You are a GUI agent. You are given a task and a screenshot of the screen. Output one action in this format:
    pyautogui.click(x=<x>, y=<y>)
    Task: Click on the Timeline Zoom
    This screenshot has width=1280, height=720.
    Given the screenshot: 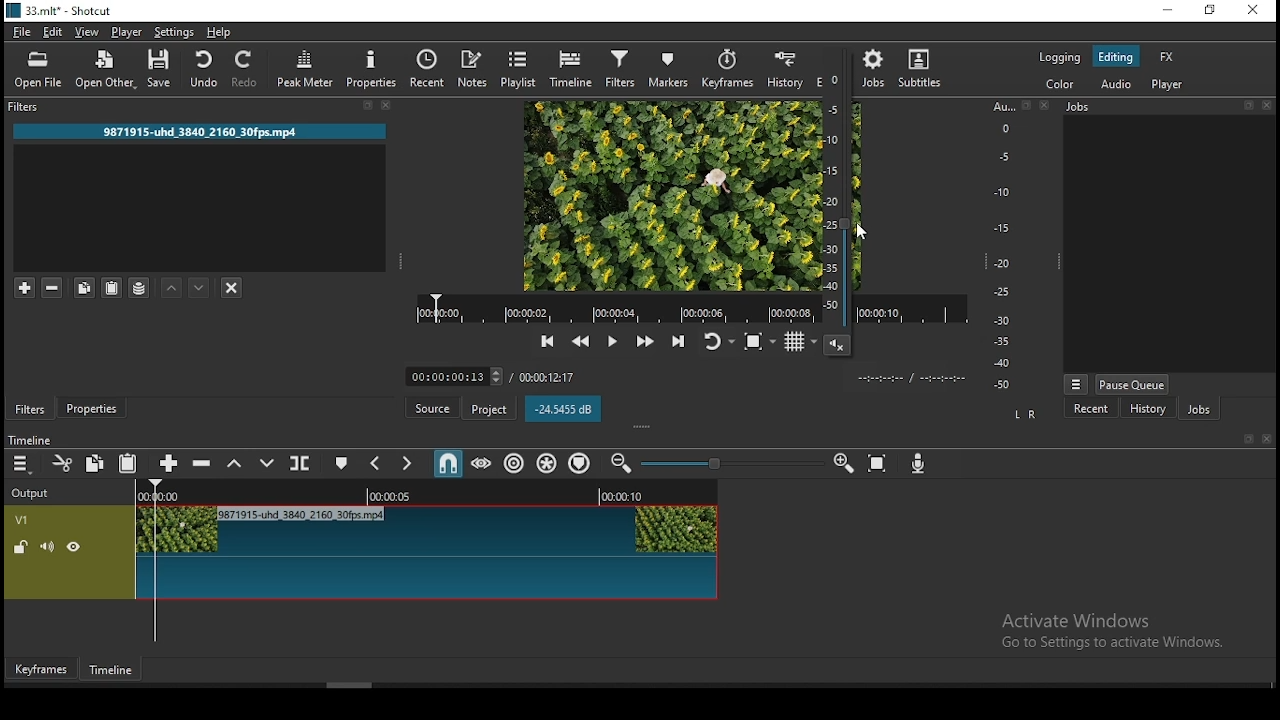 What is the action you would take?
    pyautogui.click(x=732, y=464)
    